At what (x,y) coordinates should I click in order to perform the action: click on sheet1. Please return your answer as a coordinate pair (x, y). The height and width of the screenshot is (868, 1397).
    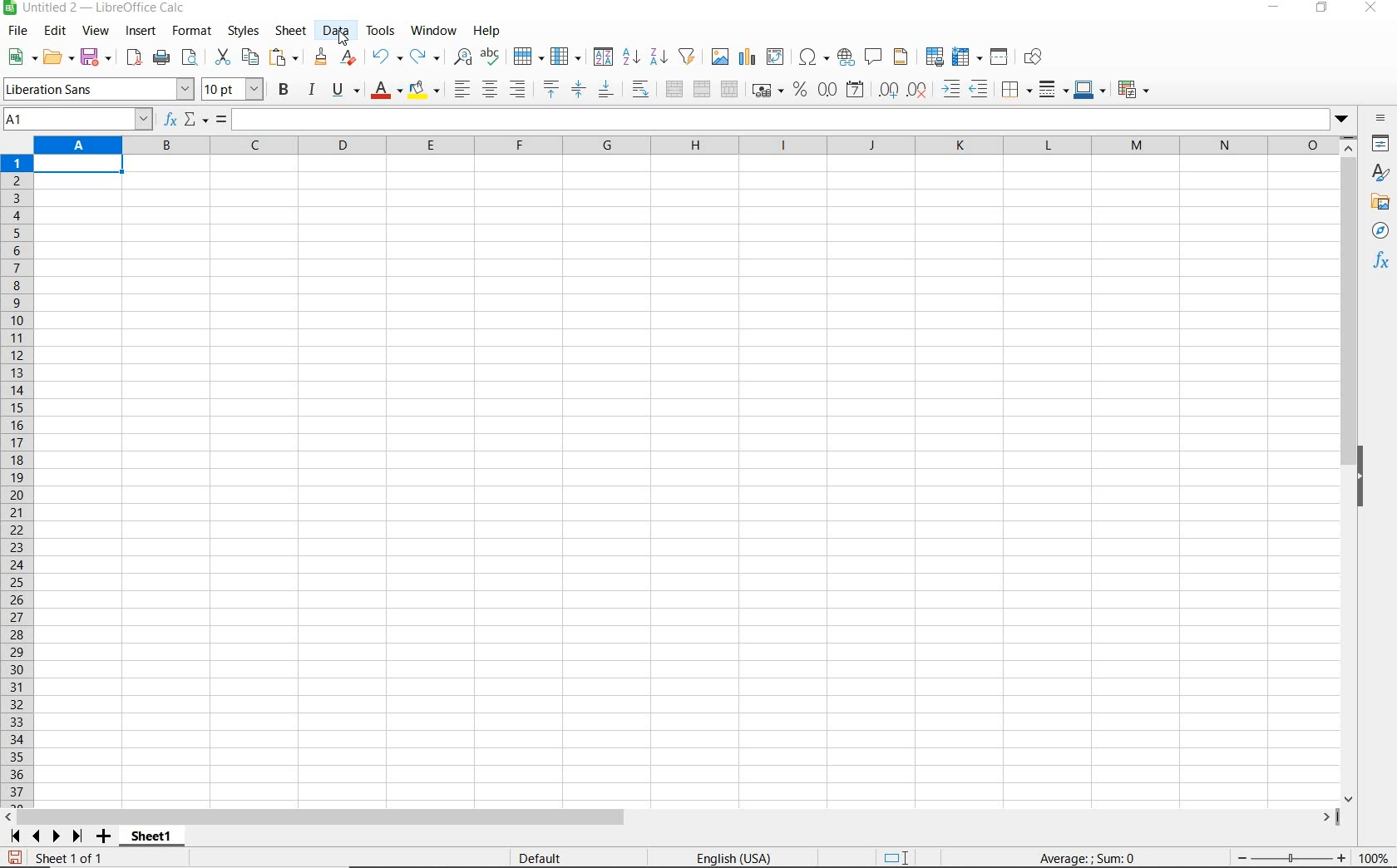
    Looking at the image, I should click on (151, 839).